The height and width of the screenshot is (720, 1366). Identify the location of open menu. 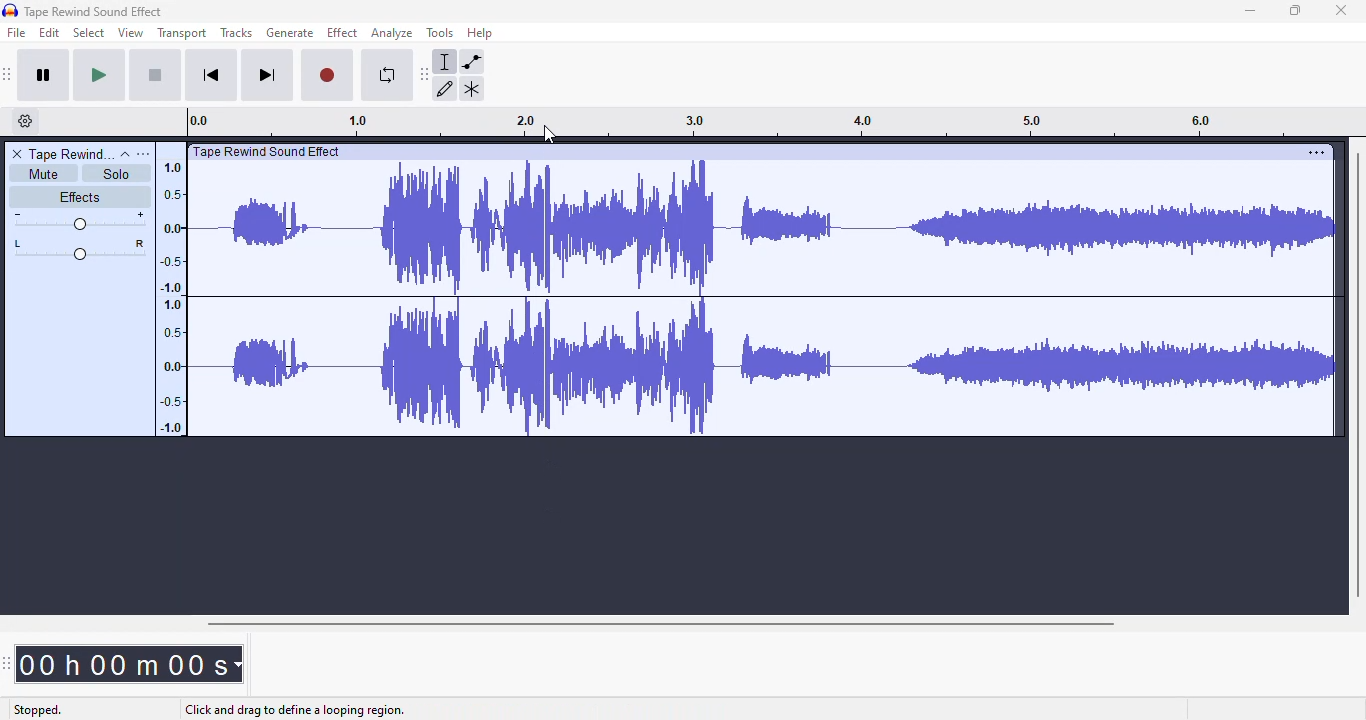
(144, 154).